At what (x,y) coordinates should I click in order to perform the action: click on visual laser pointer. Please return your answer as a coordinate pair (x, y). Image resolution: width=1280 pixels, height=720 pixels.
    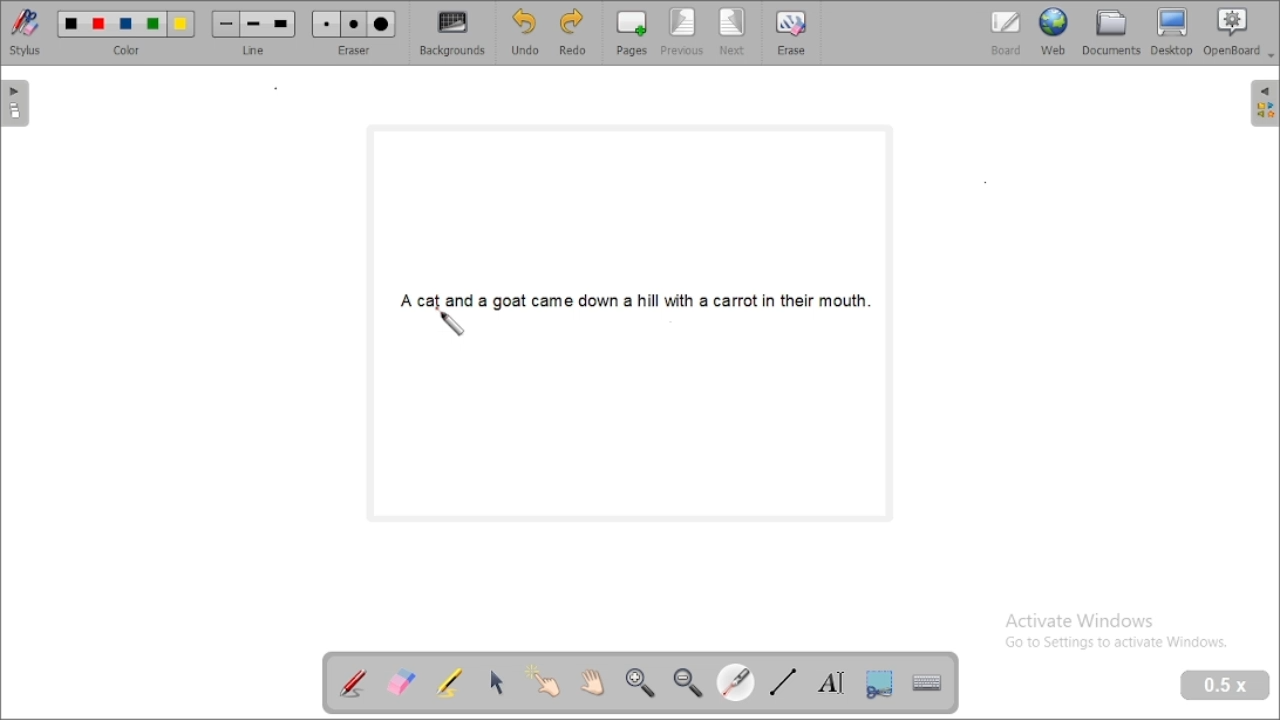
    Looking at the image, I should click on (735, 681).